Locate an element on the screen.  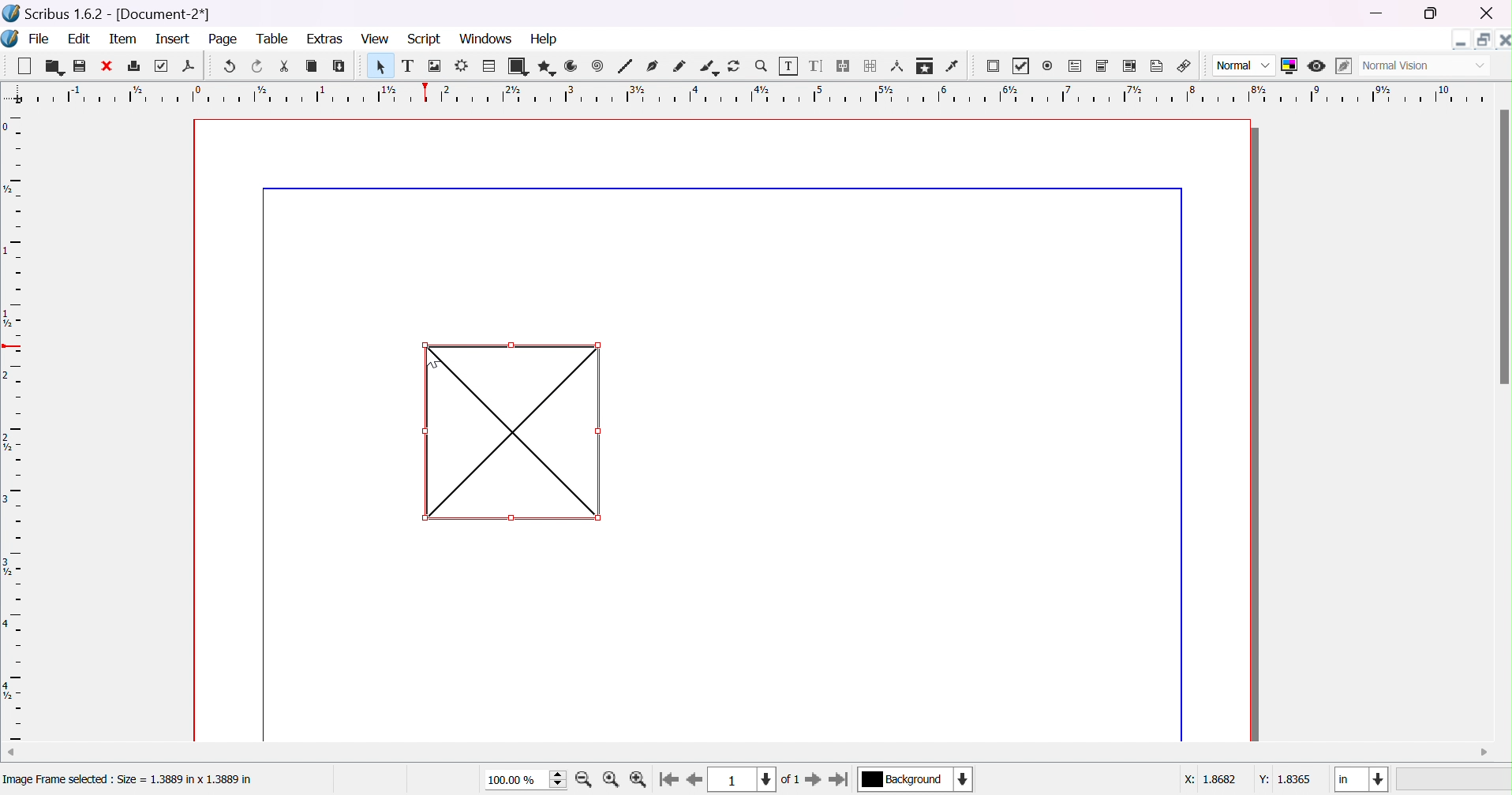
table is located at coordinates (488, 64).